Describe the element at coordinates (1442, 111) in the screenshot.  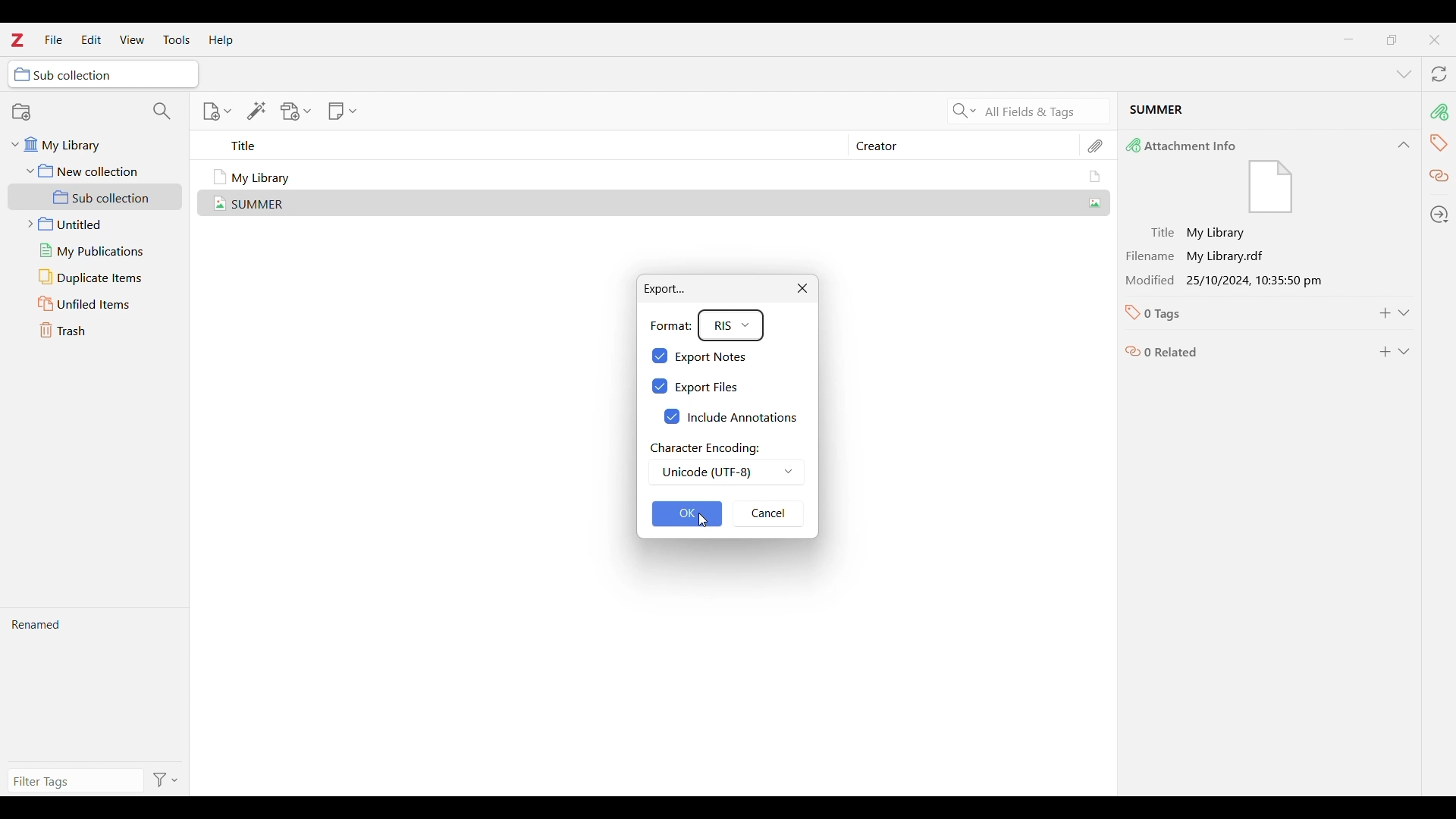
I see `Attachment info` at that location.